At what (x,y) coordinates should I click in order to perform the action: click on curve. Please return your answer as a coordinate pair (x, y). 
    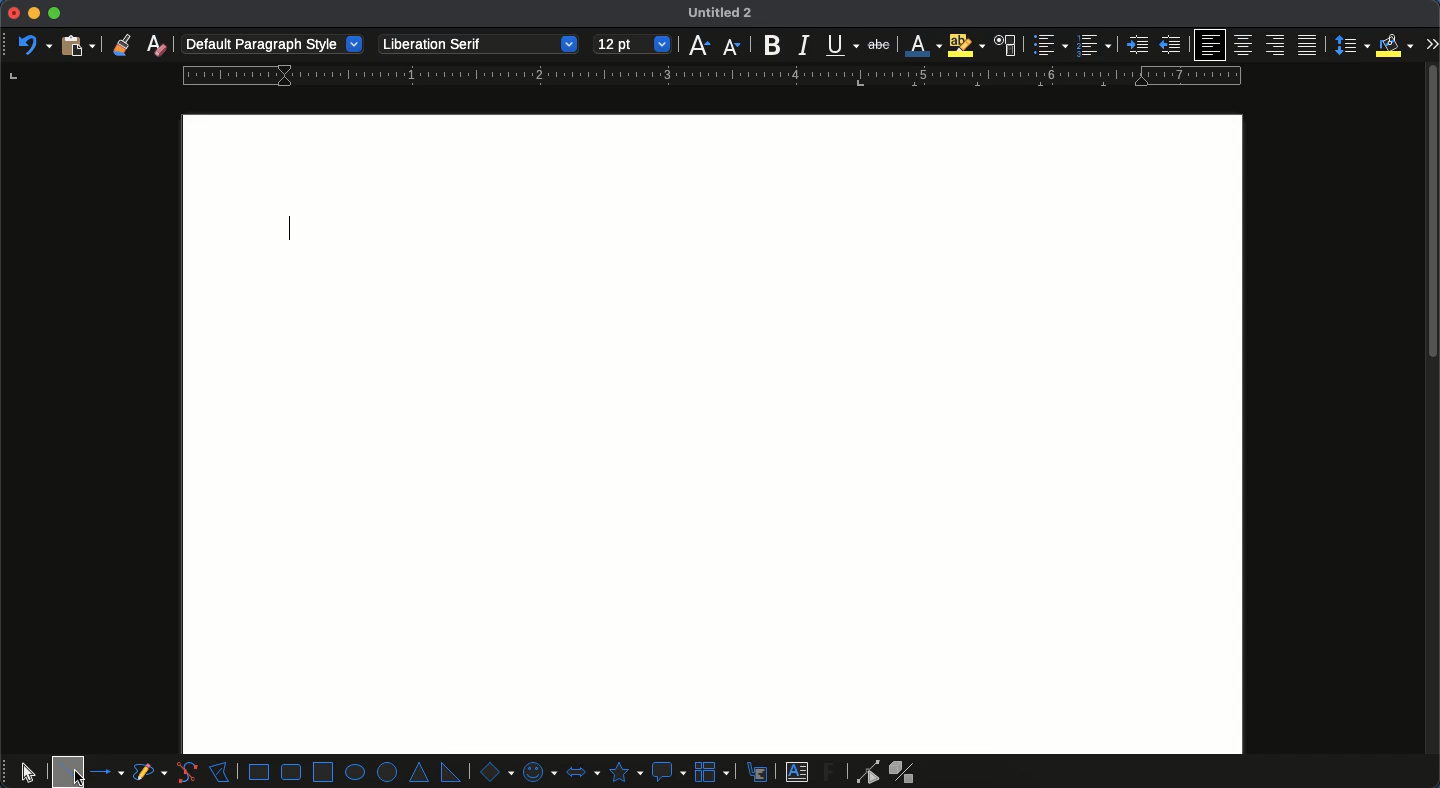
    Looking at the image, I should click on (186, 772).